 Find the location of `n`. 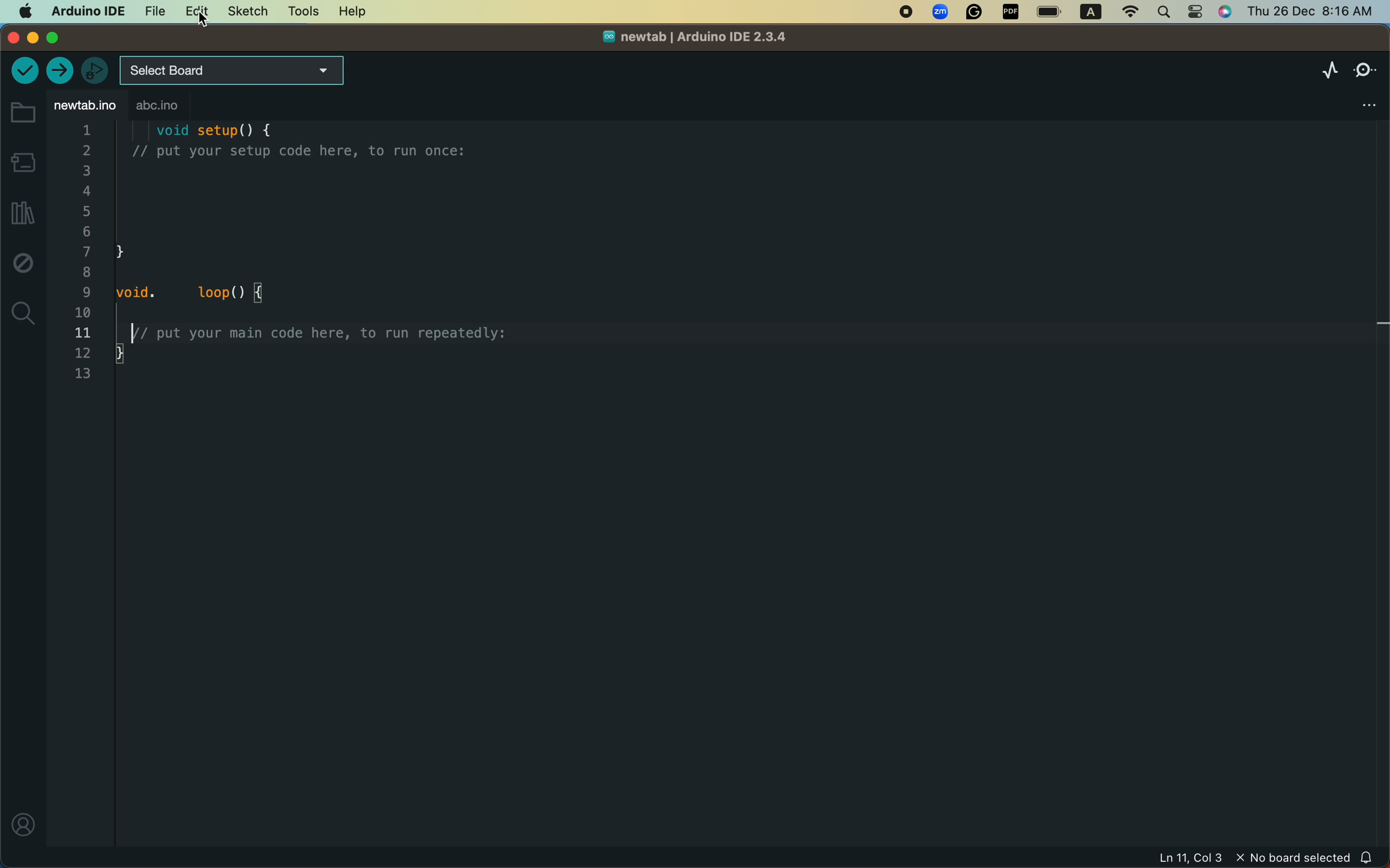

n is located at coordinates (899, 13).